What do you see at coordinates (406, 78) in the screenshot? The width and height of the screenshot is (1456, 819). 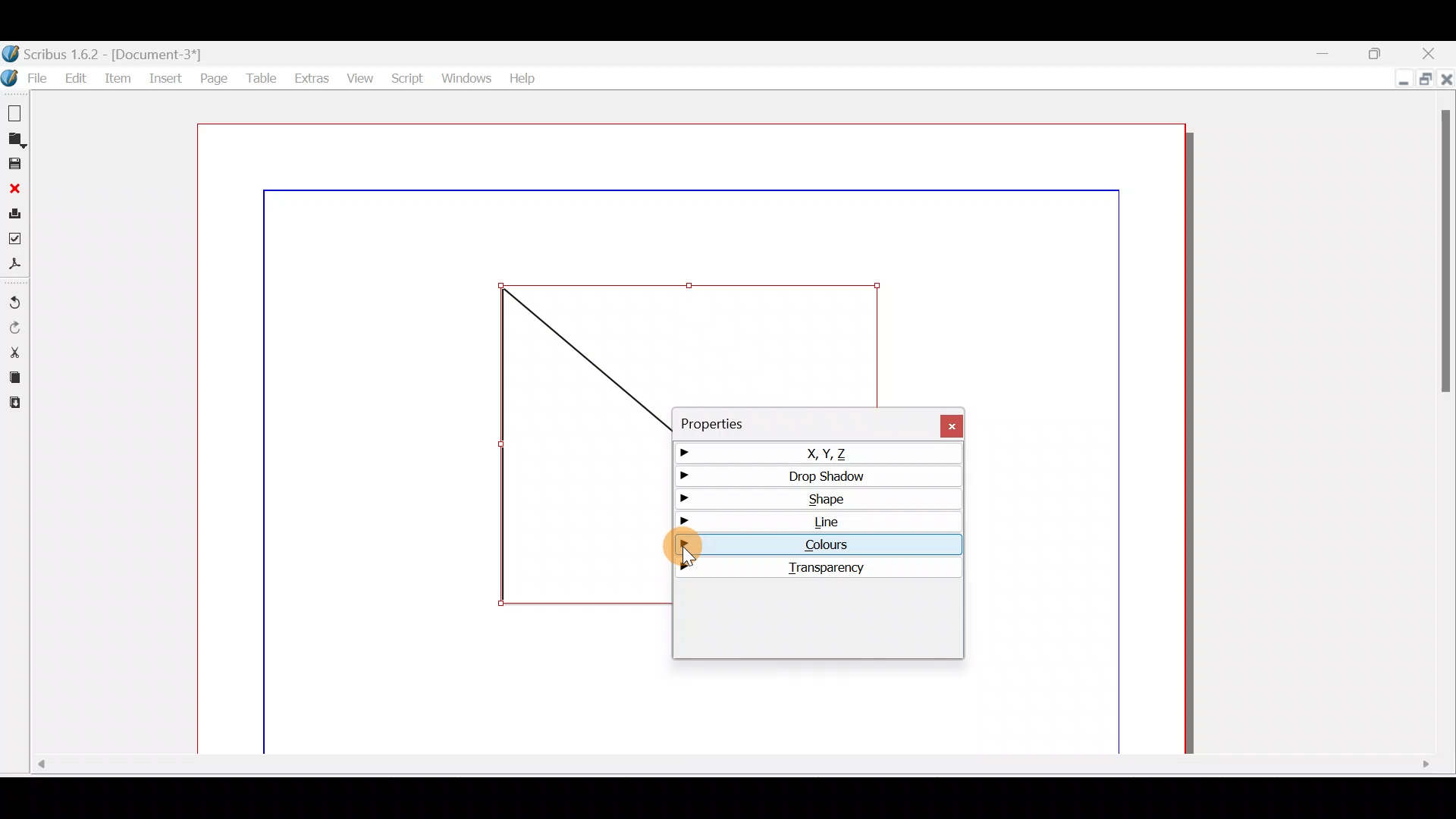 I see `Script` at bounding box center [406, 78].